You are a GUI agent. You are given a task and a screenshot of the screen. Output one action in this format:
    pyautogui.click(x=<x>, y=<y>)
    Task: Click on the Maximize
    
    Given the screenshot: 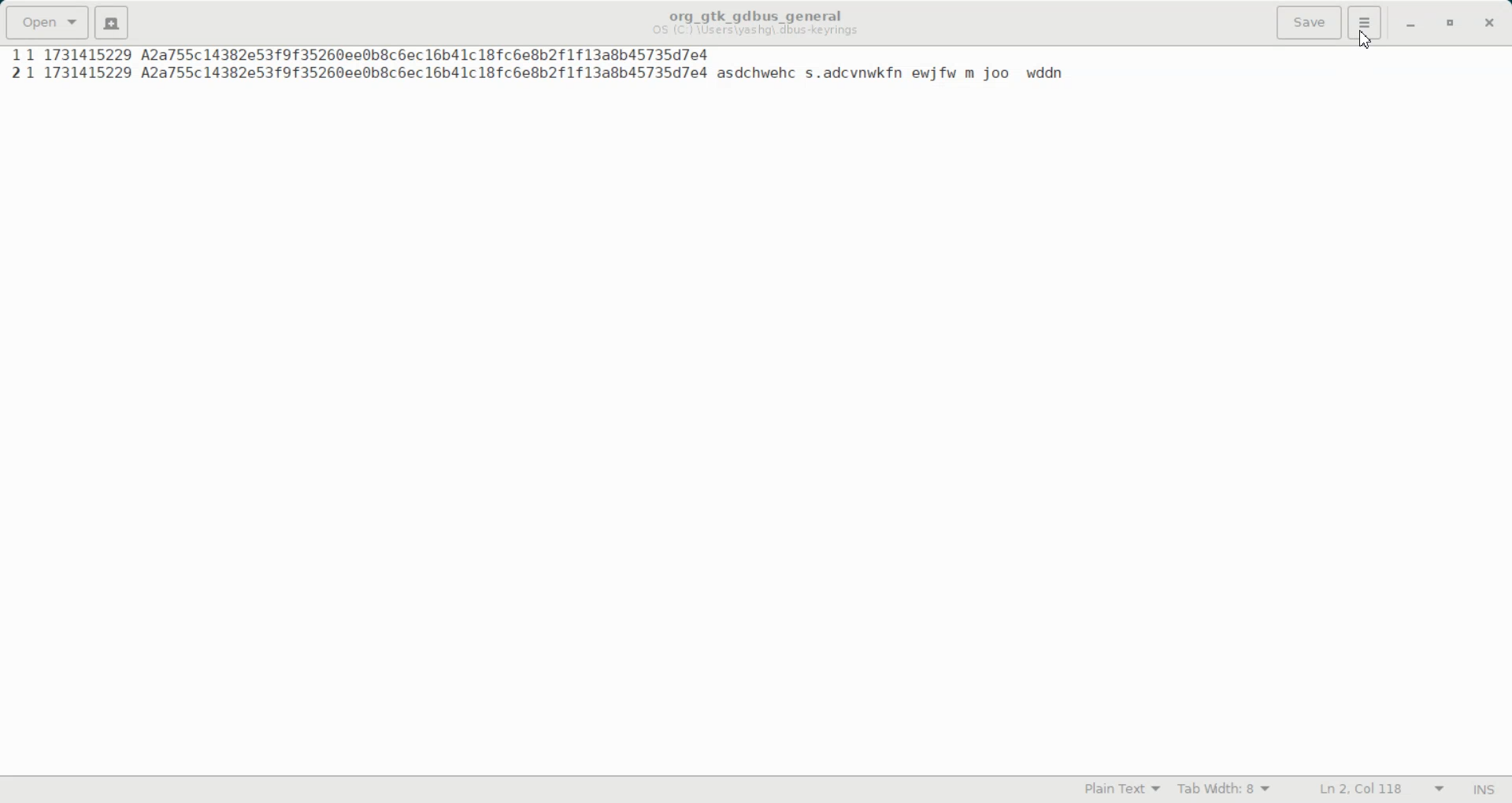 What is the action you would take?
    pyautogui.click(x=1451, y=24)
    